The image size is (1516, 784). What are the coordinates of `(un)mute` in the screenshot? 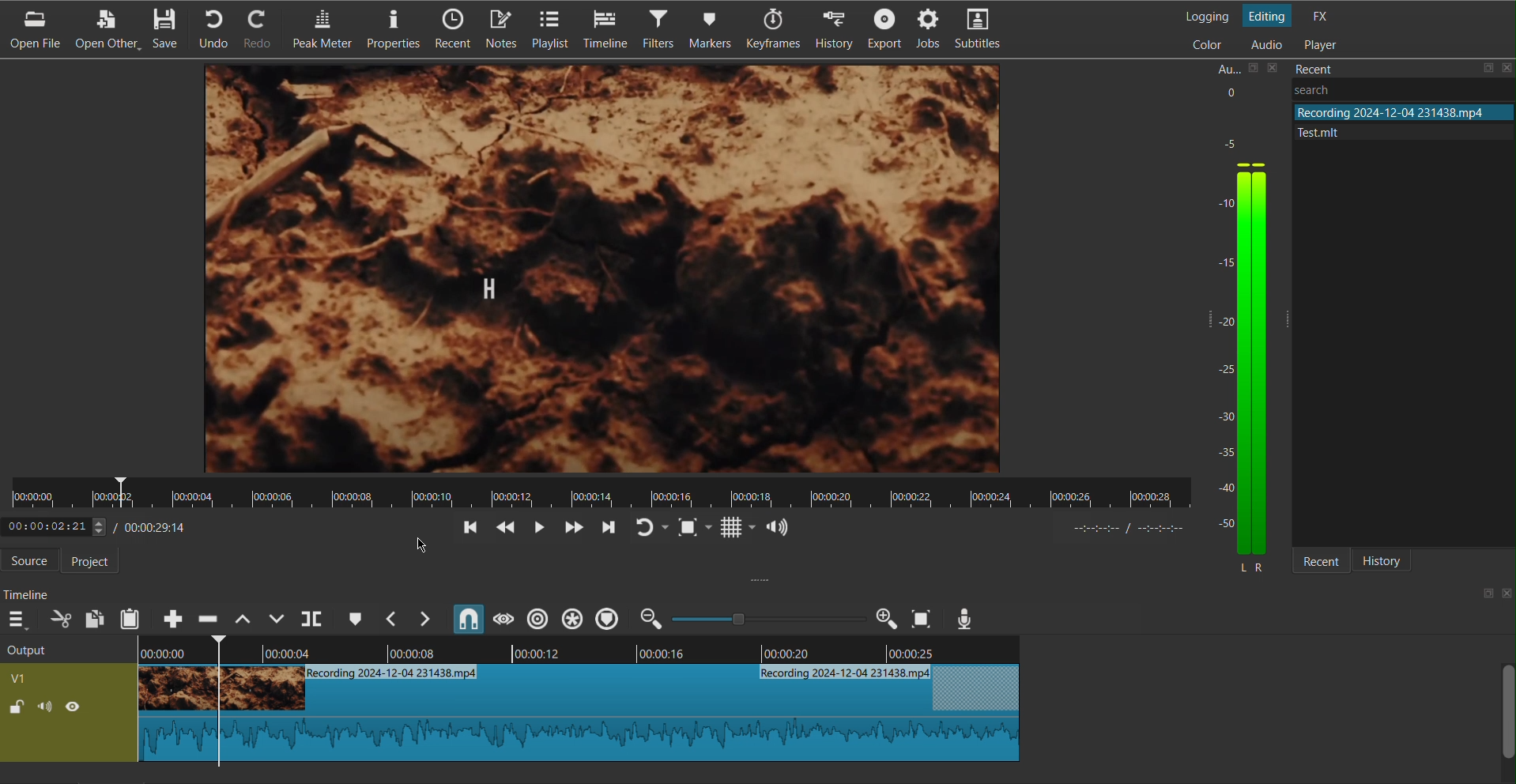 It's located at (47, 705).